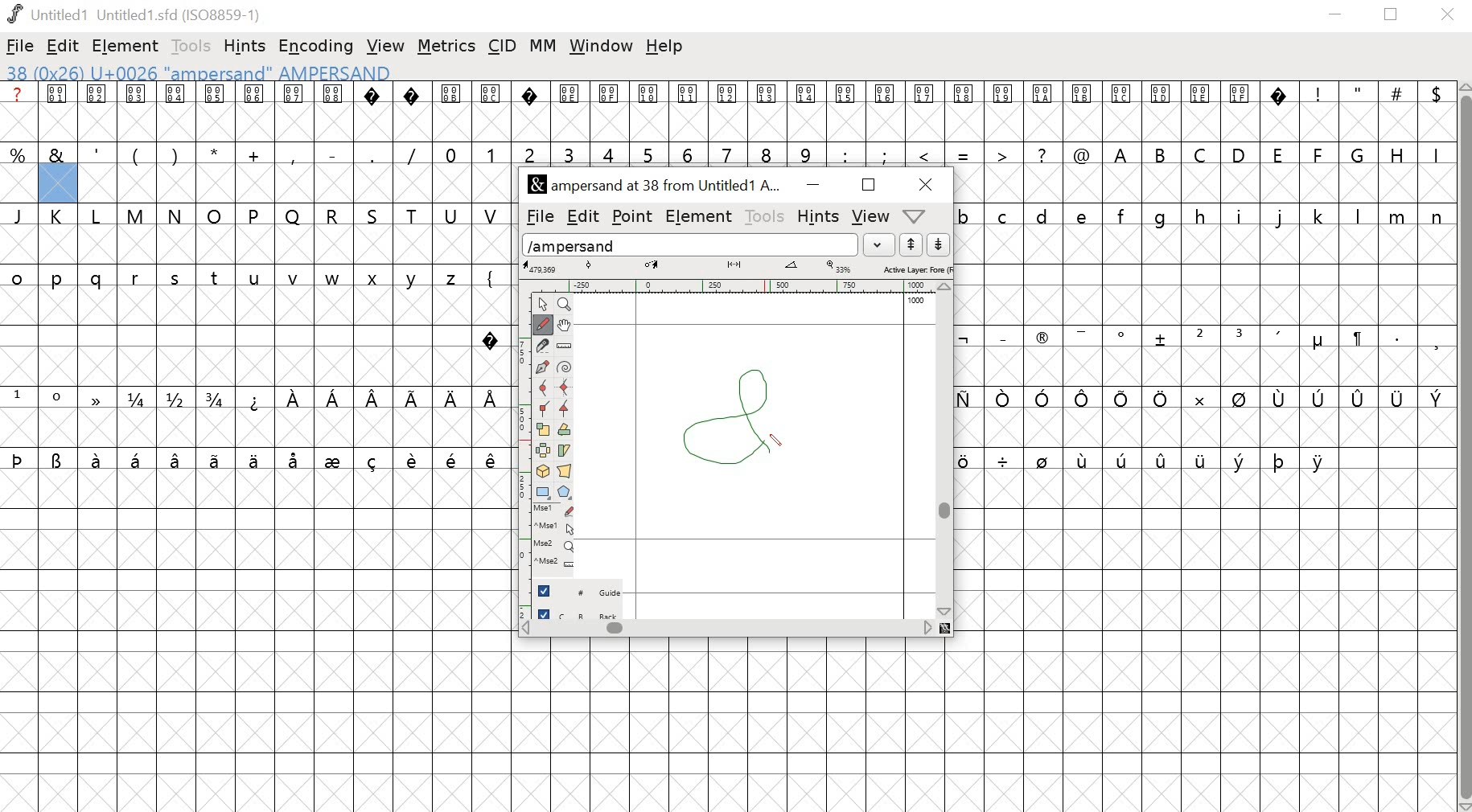  I want to click on 3, so click(1241, 336).